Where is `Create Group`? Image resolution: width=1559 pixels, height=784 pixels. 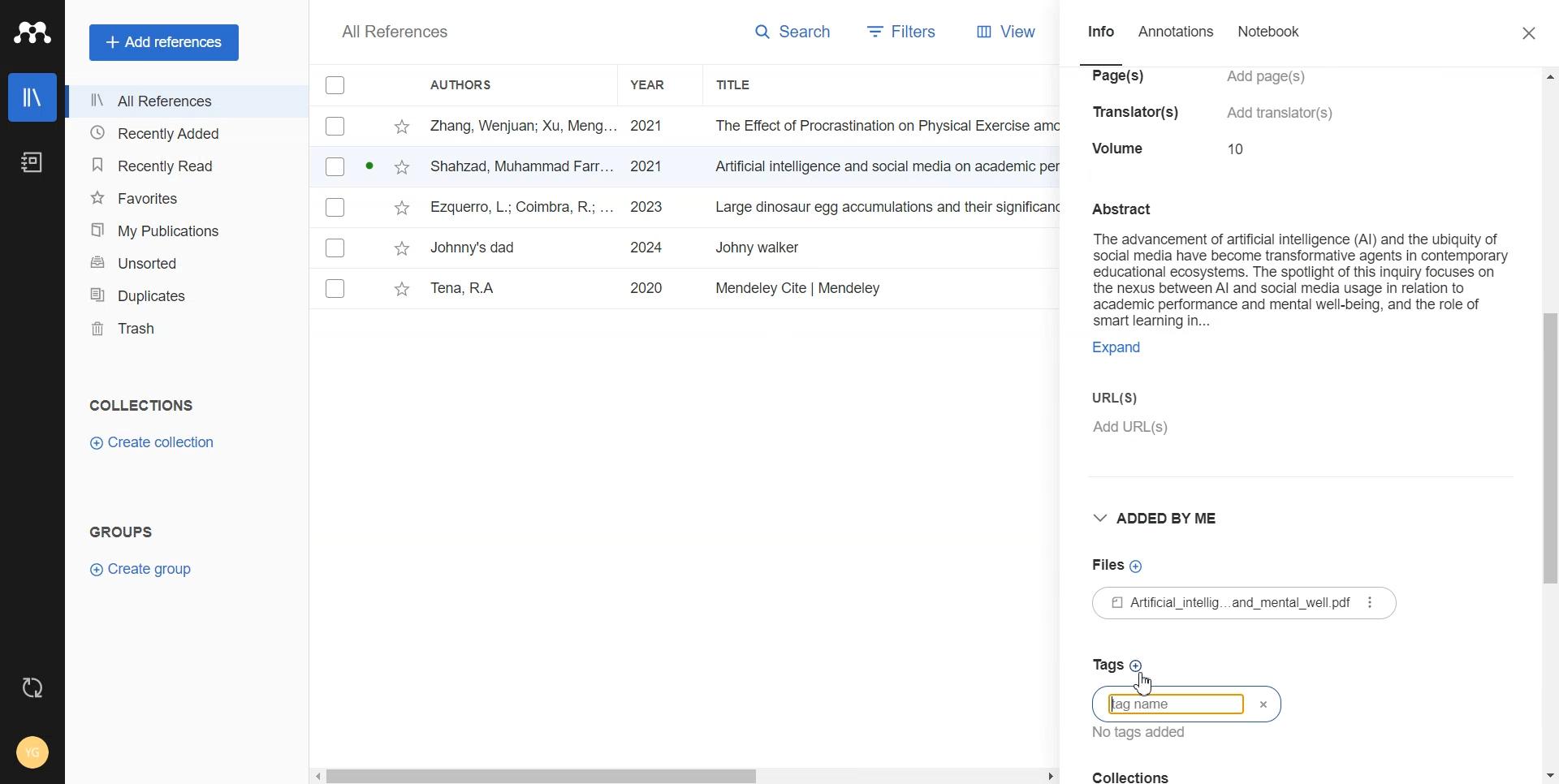 Create Group is located at coordinates (149, 569).